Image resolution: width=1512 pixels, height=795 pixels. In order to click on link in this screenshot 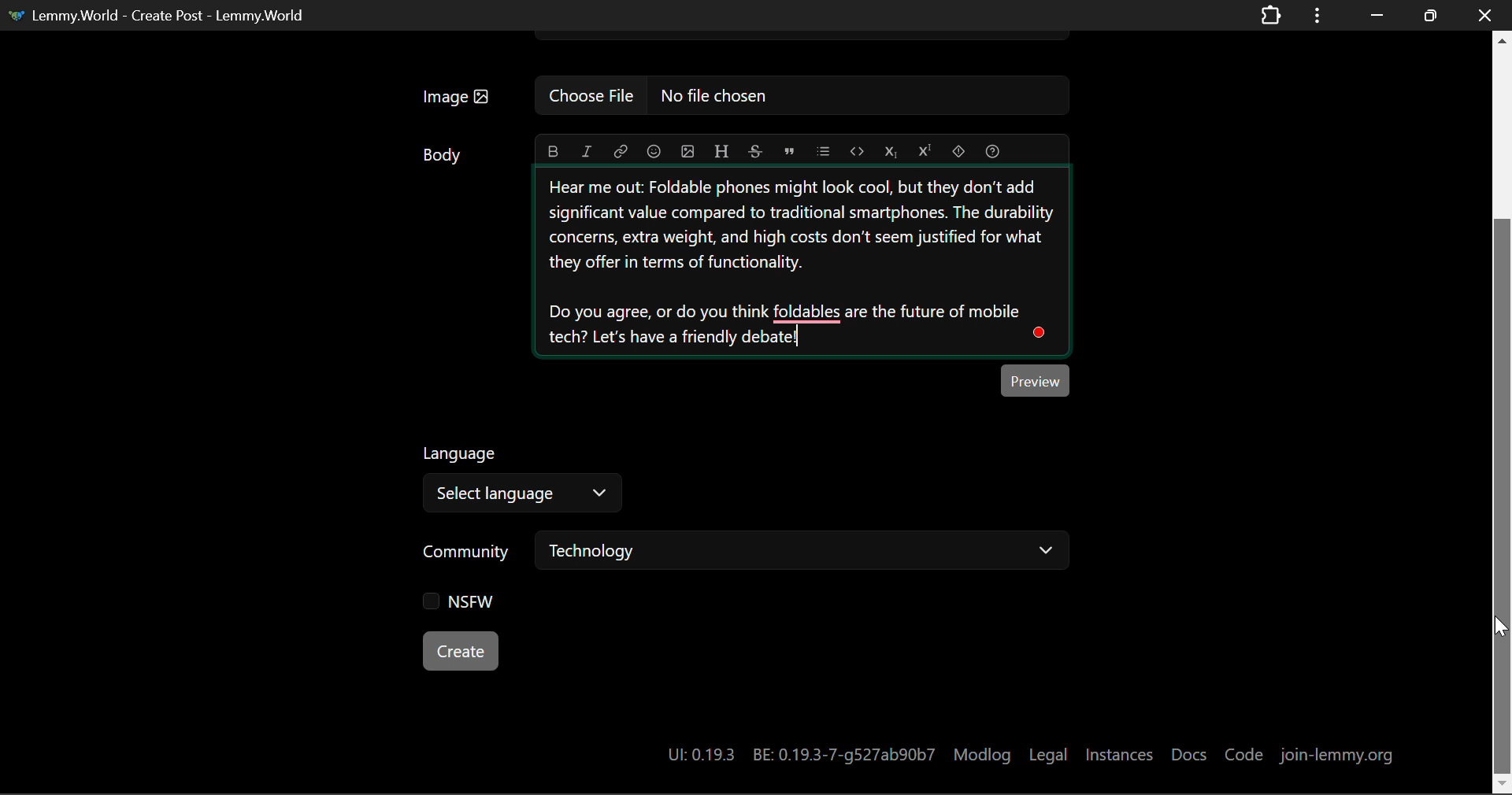, I will do `click(621, 150)`.